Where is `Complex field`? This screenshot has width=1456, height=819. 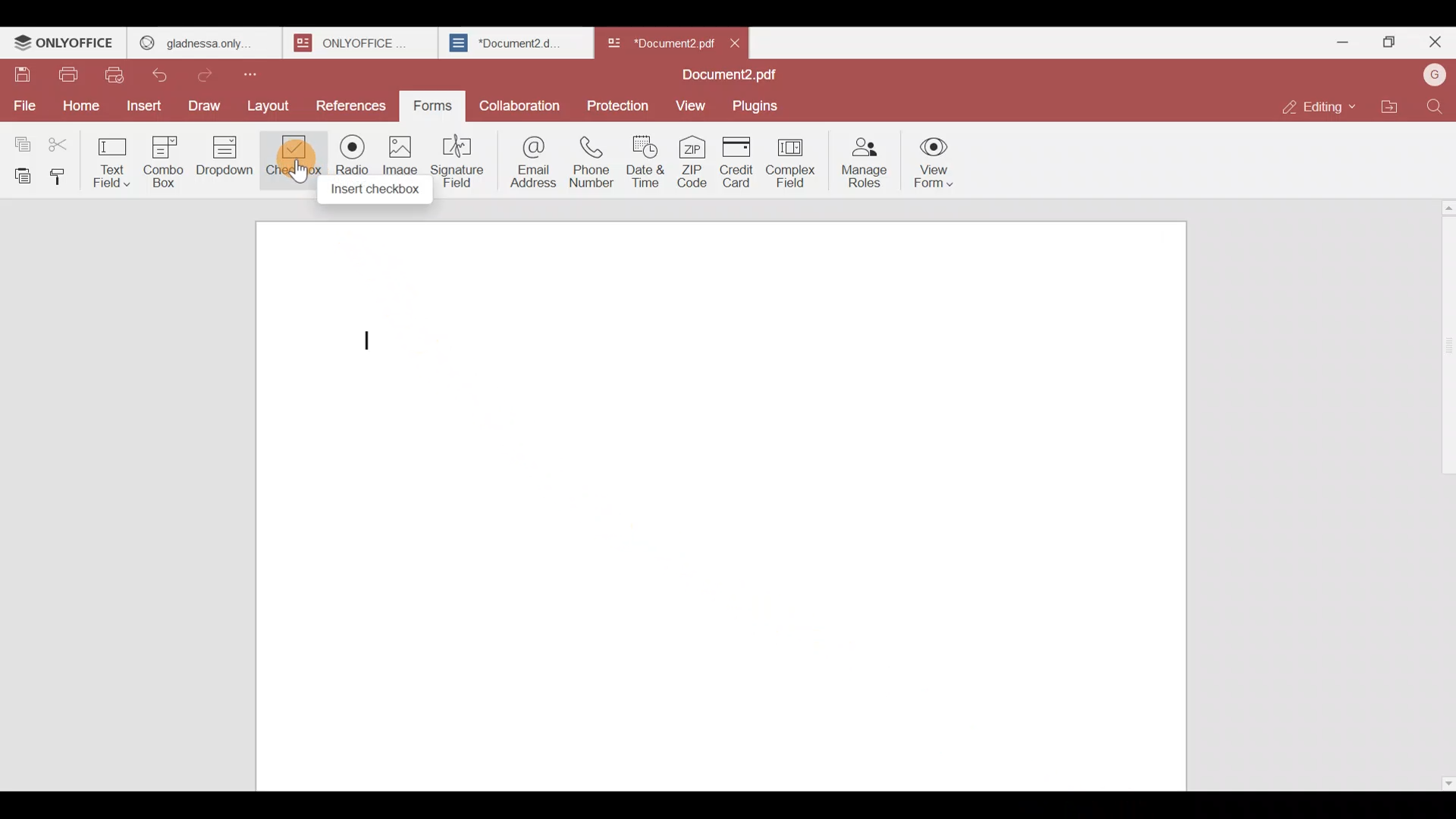 Complex field is located at coordinates (789, 164).